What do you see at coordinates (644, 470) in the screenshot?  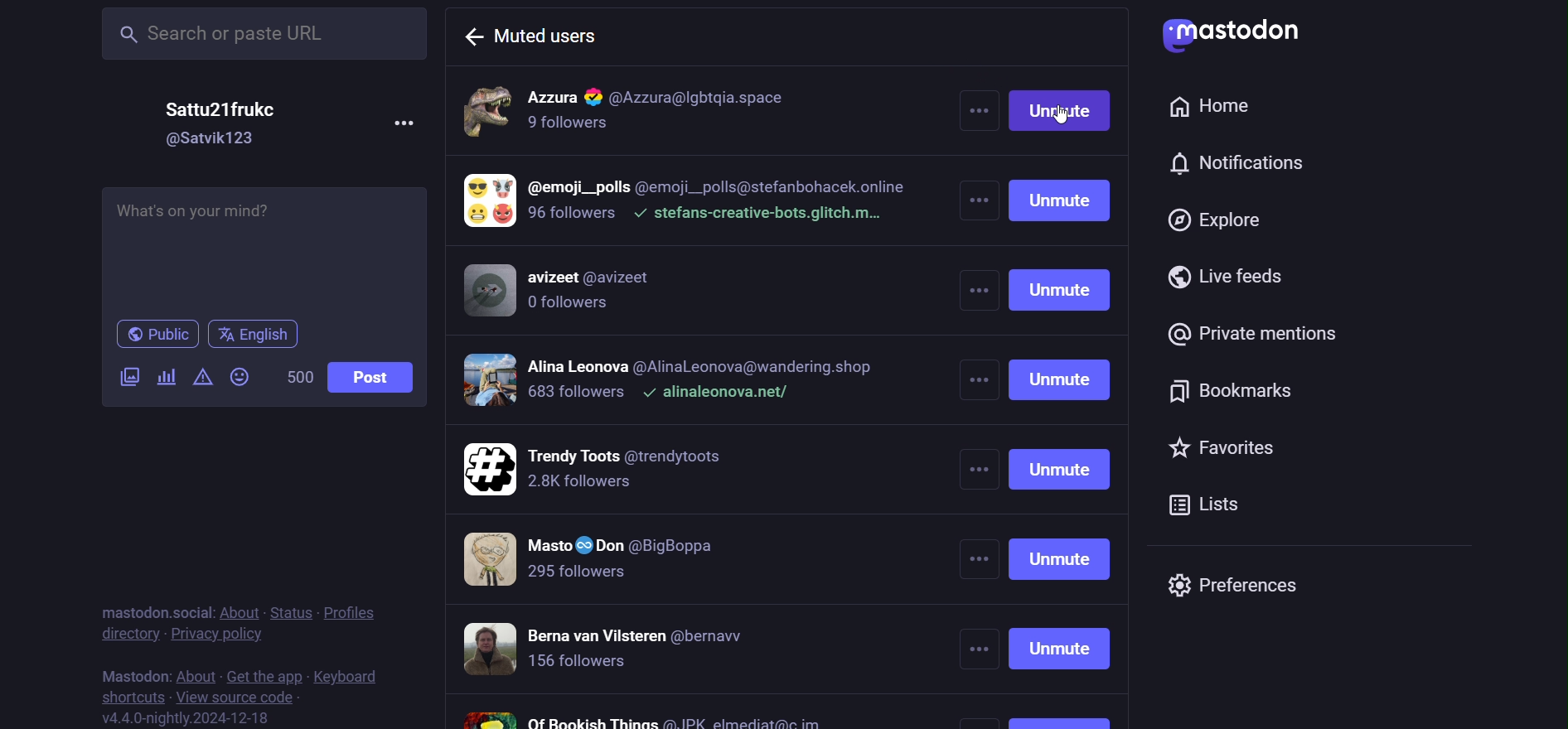 I see `muted user 5` at bounding box center [644, 470].